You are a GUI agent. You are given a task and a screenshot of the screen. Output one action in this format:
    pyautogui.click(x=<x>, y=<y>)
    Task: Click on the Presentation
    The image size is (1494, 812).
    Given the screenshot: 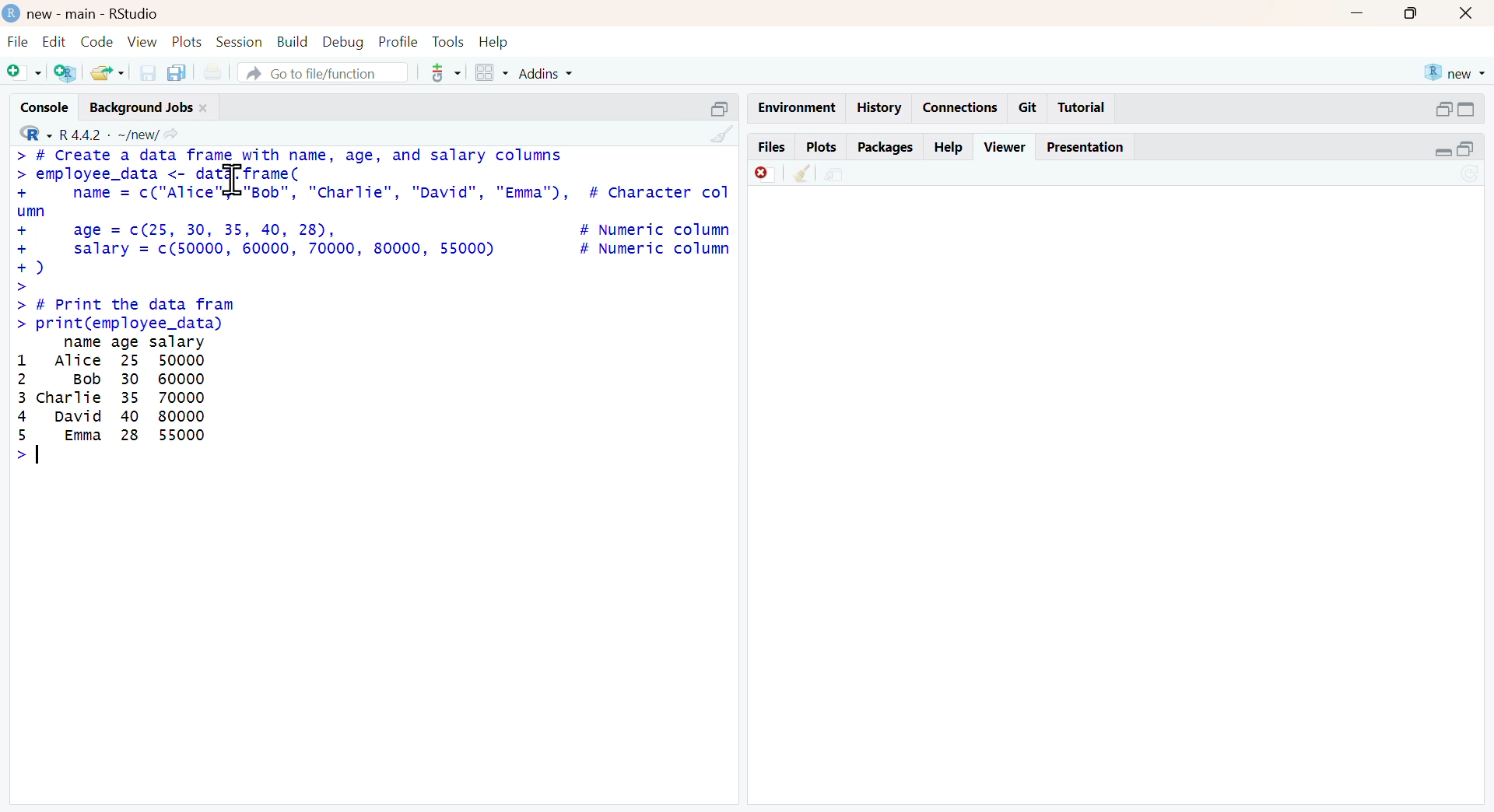 What is the action you would take?
    pyautogui.click(x=1085, y=147)
    